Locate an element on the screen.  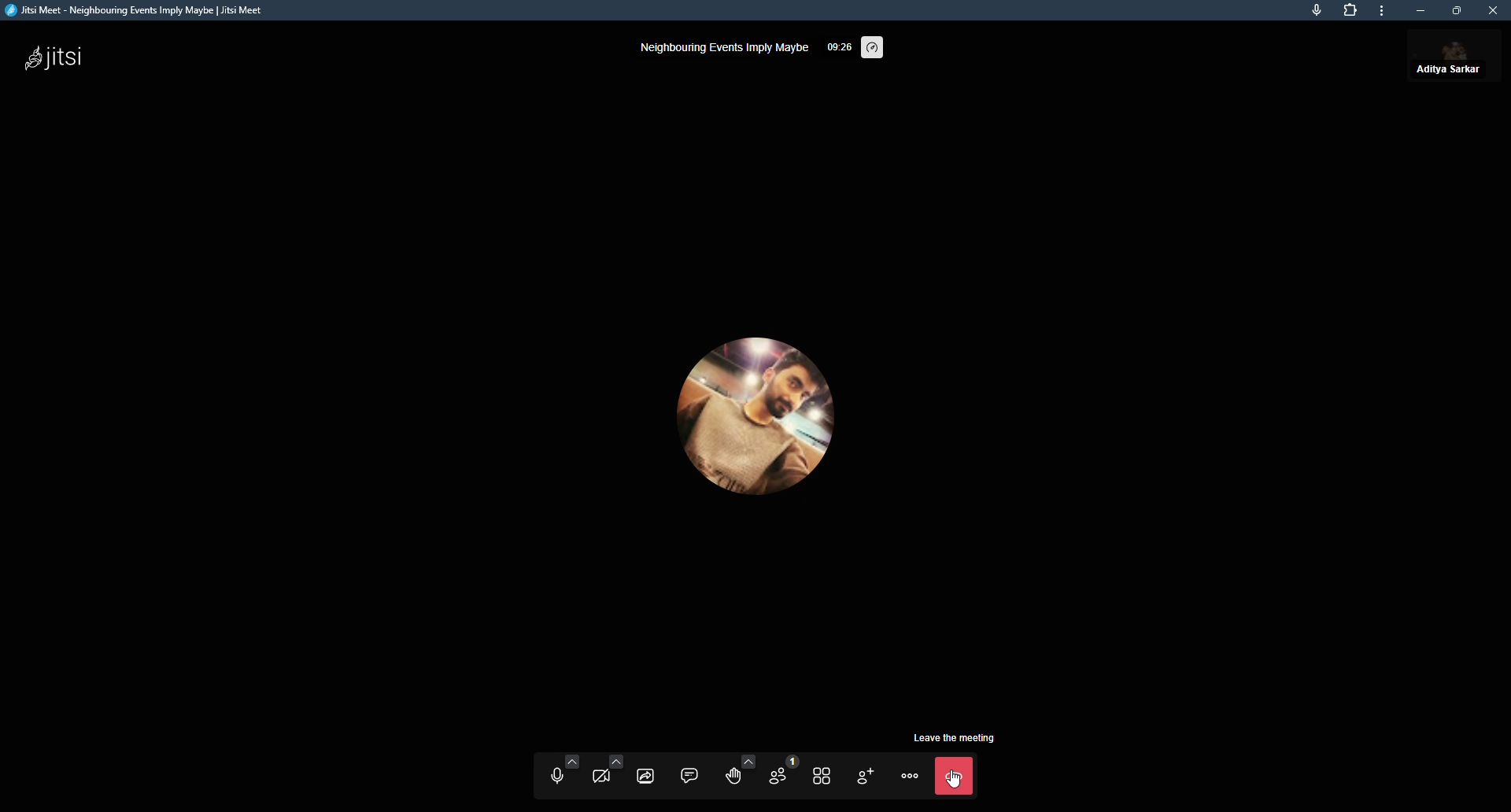
Adtiya Sarkar is located at coordinates (1455, 57).